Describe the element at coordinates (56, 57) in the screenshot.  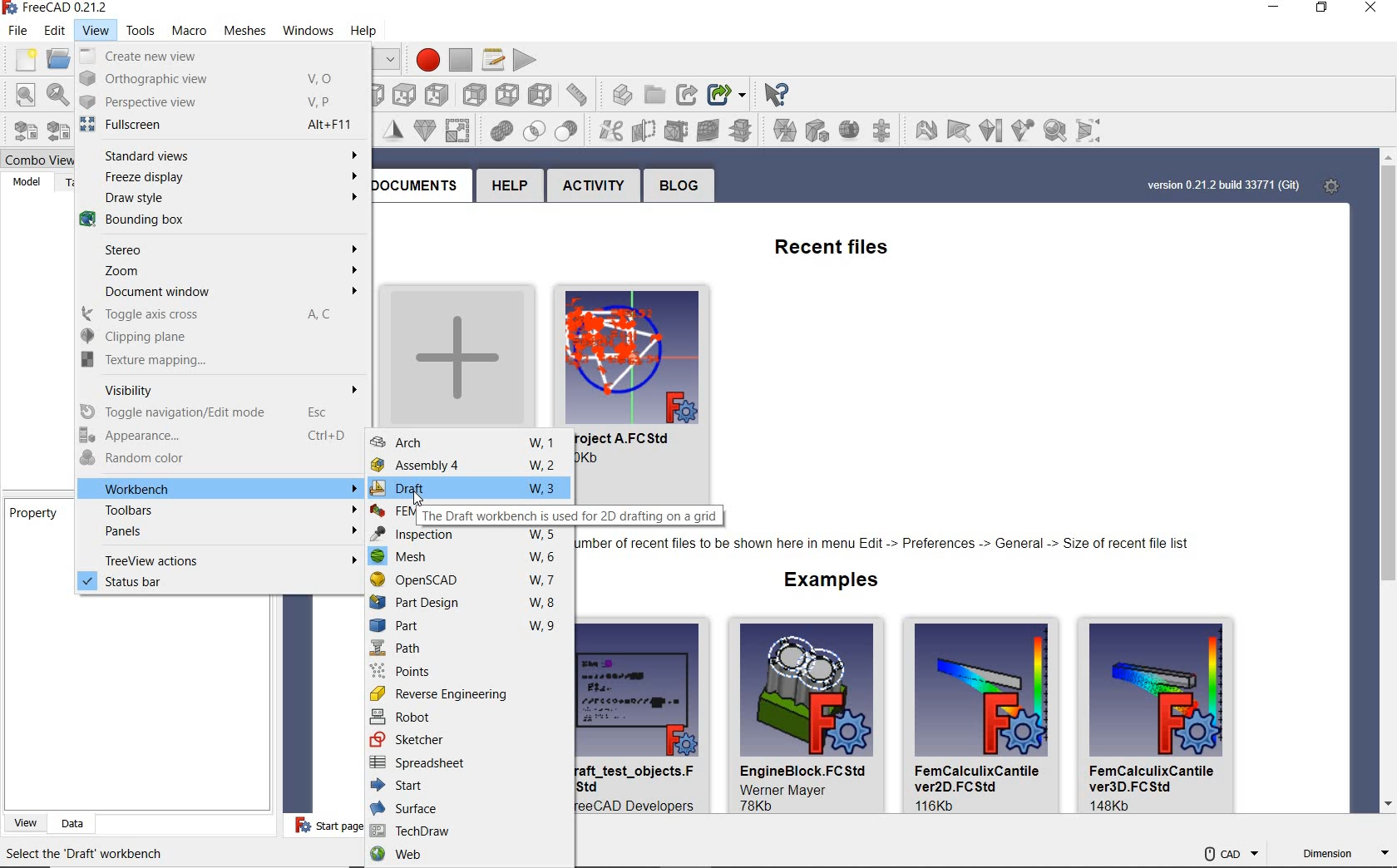
I see `open` at that location.